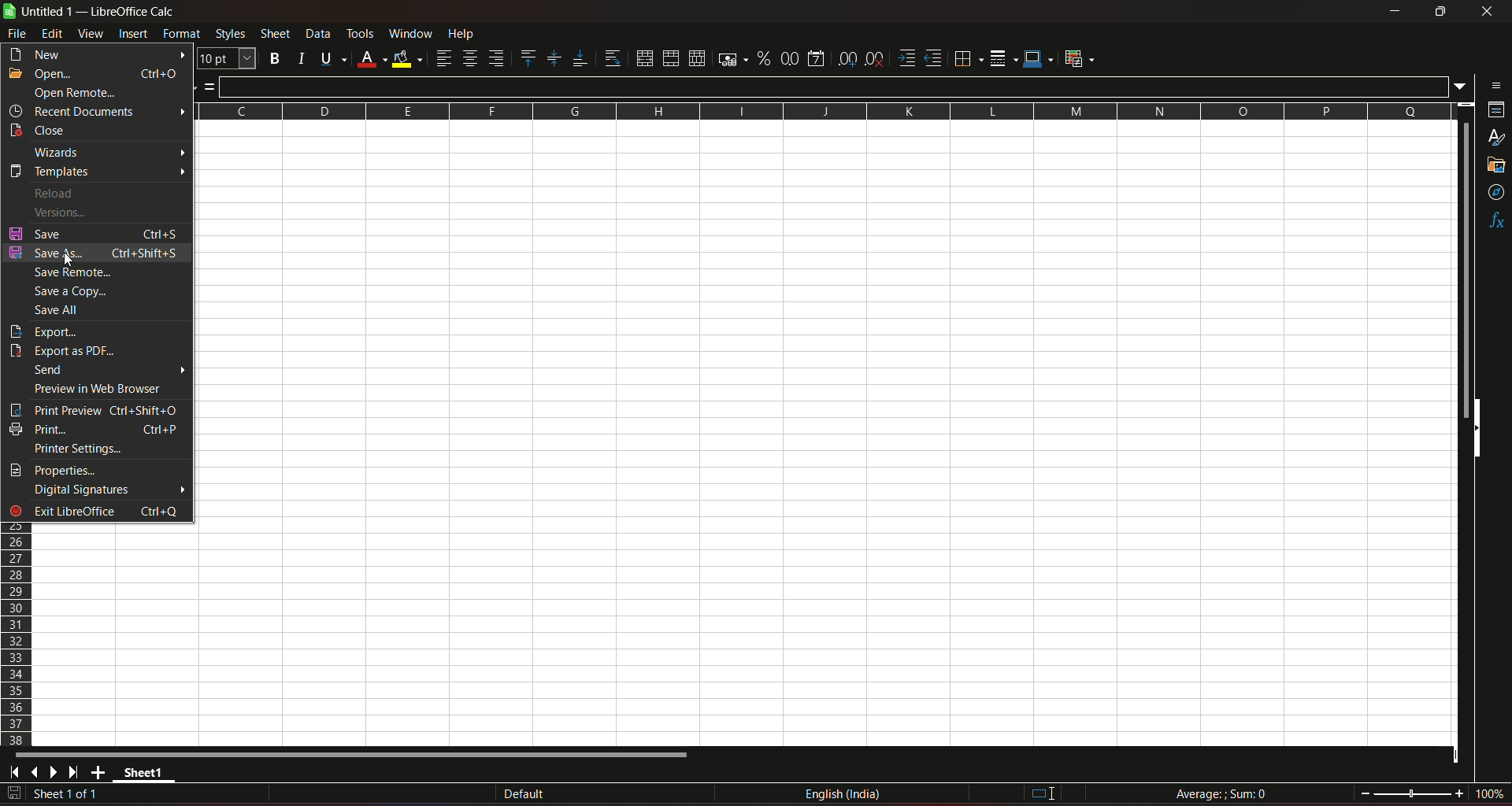 This screenshot has height=806, width=1512. Describe the element at coordinates (553, 58) in the screenshot. I see `center vertically` at that location.